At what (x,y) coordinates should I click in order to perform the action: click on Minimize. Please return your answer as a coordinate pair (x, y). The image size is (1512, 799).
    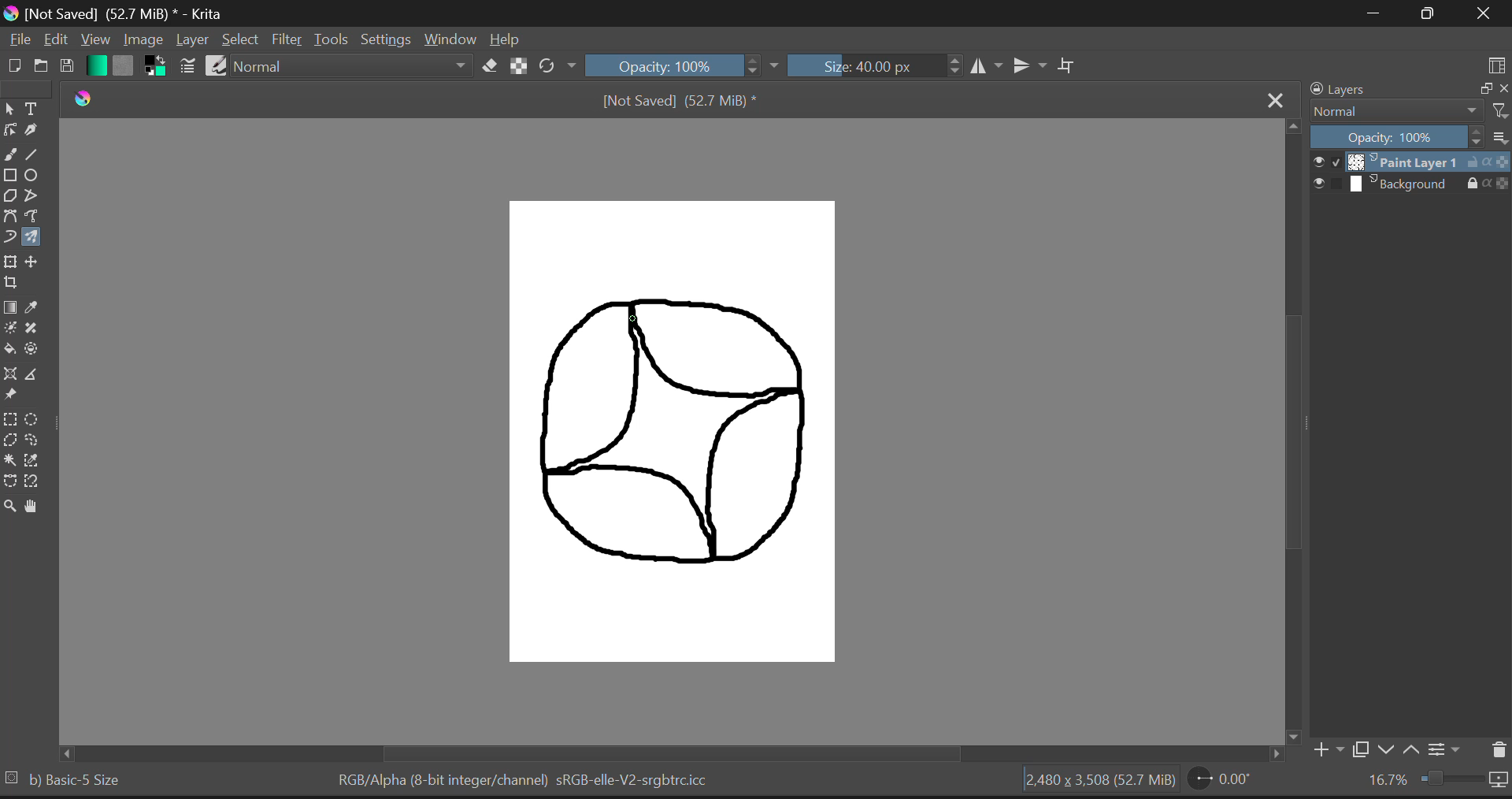
    Looking at the image, I should click on (1432, 13).